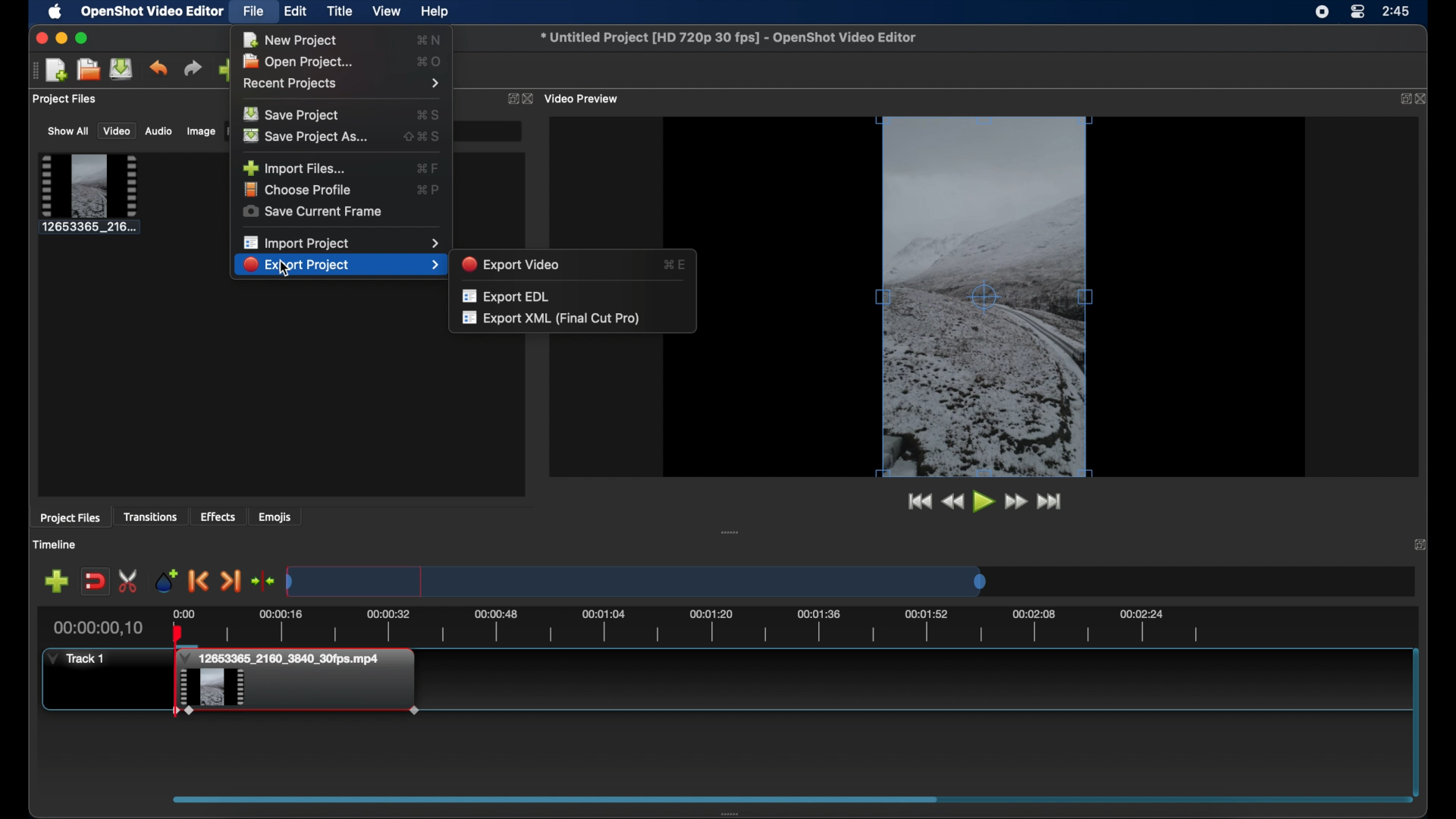  I want to click on preview, so click(986, 297).